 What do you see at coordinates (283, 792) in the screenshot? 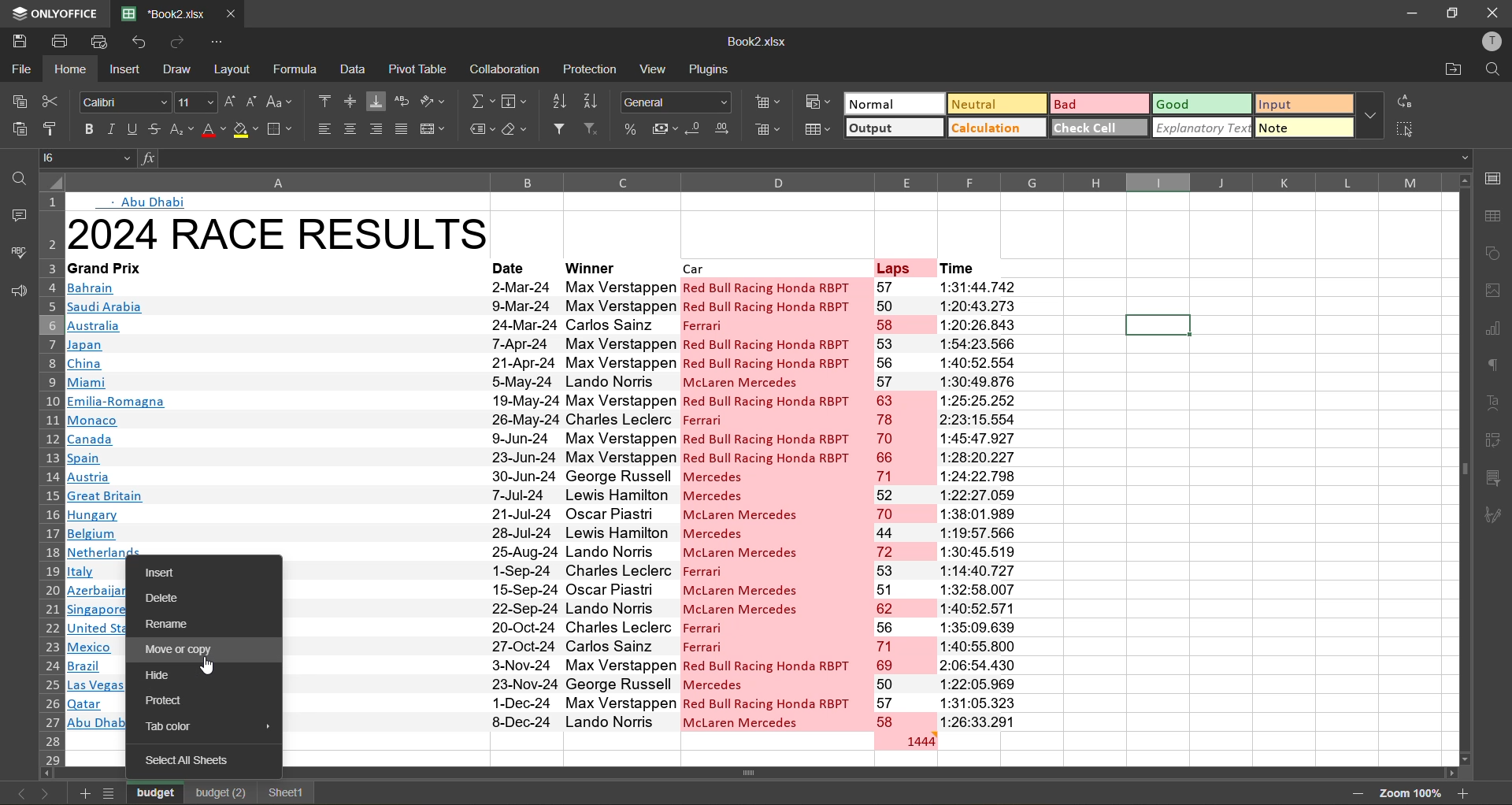
I see `sheet1` at bounding box center [283, 792].